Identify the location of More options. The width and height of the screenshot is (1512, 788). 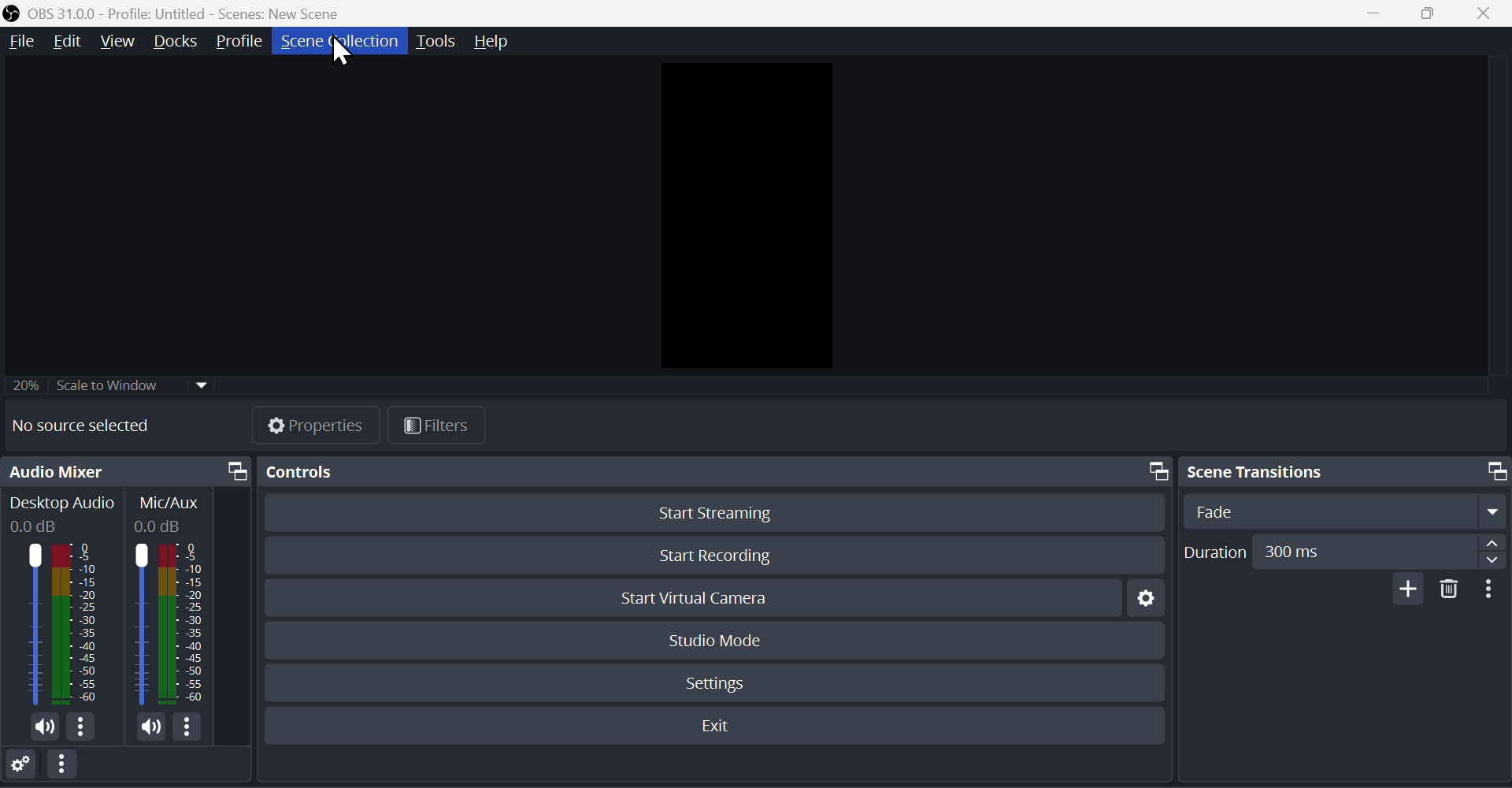
(70, 768).